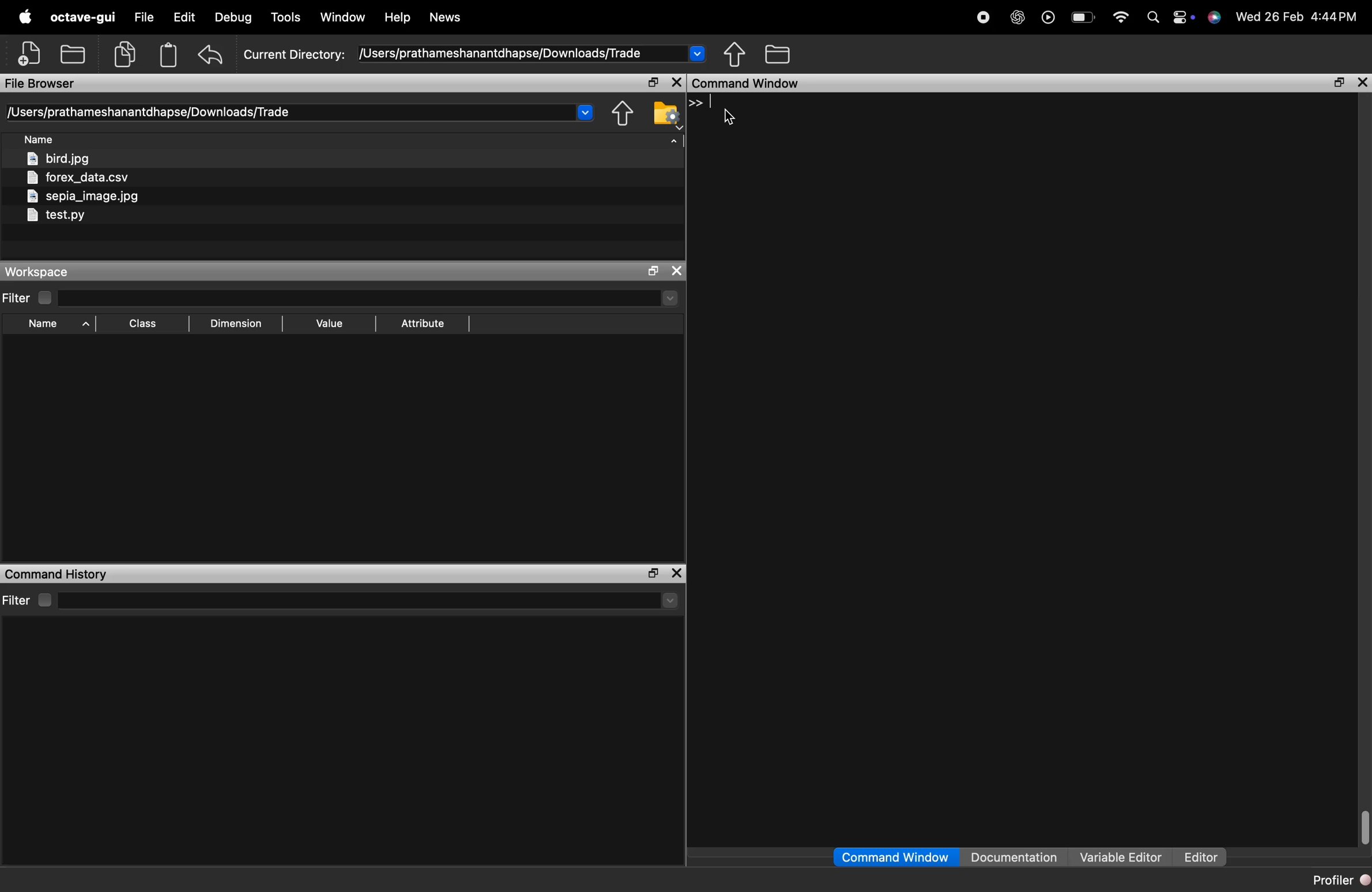  I want to click on folder settings, so click(666, 114).